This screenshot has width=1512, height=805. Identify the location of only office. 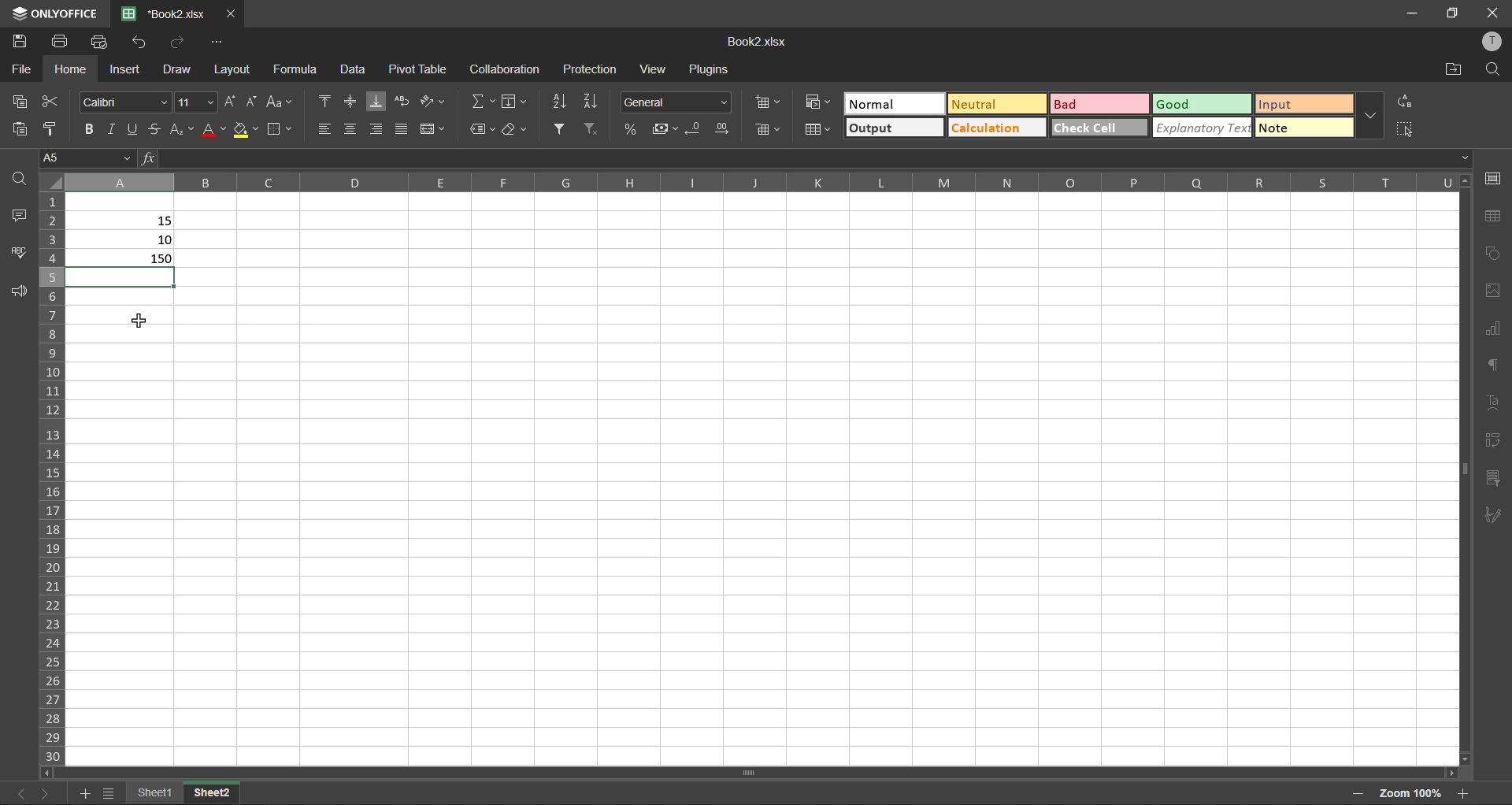
(53, 13).